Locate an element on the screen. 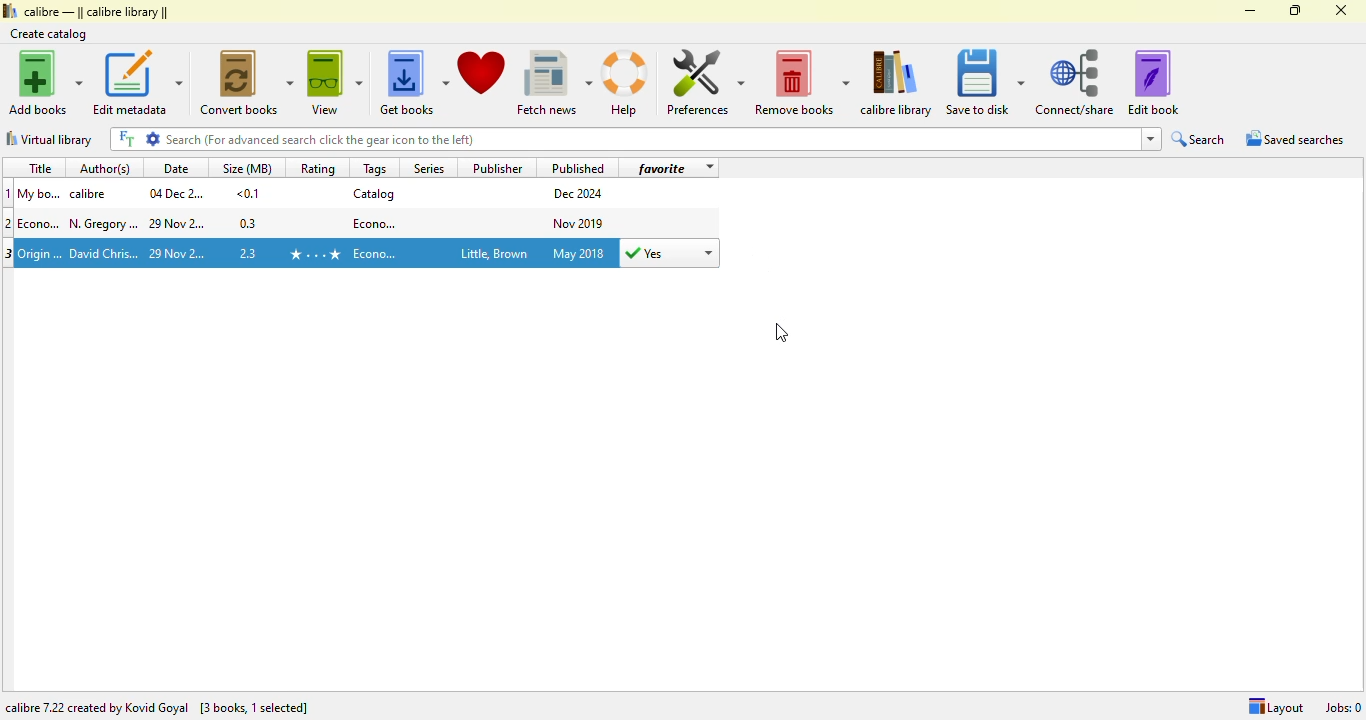 The height and width of the screenshot is (720, 1366). dropdown is located at coordinates (708, 168).